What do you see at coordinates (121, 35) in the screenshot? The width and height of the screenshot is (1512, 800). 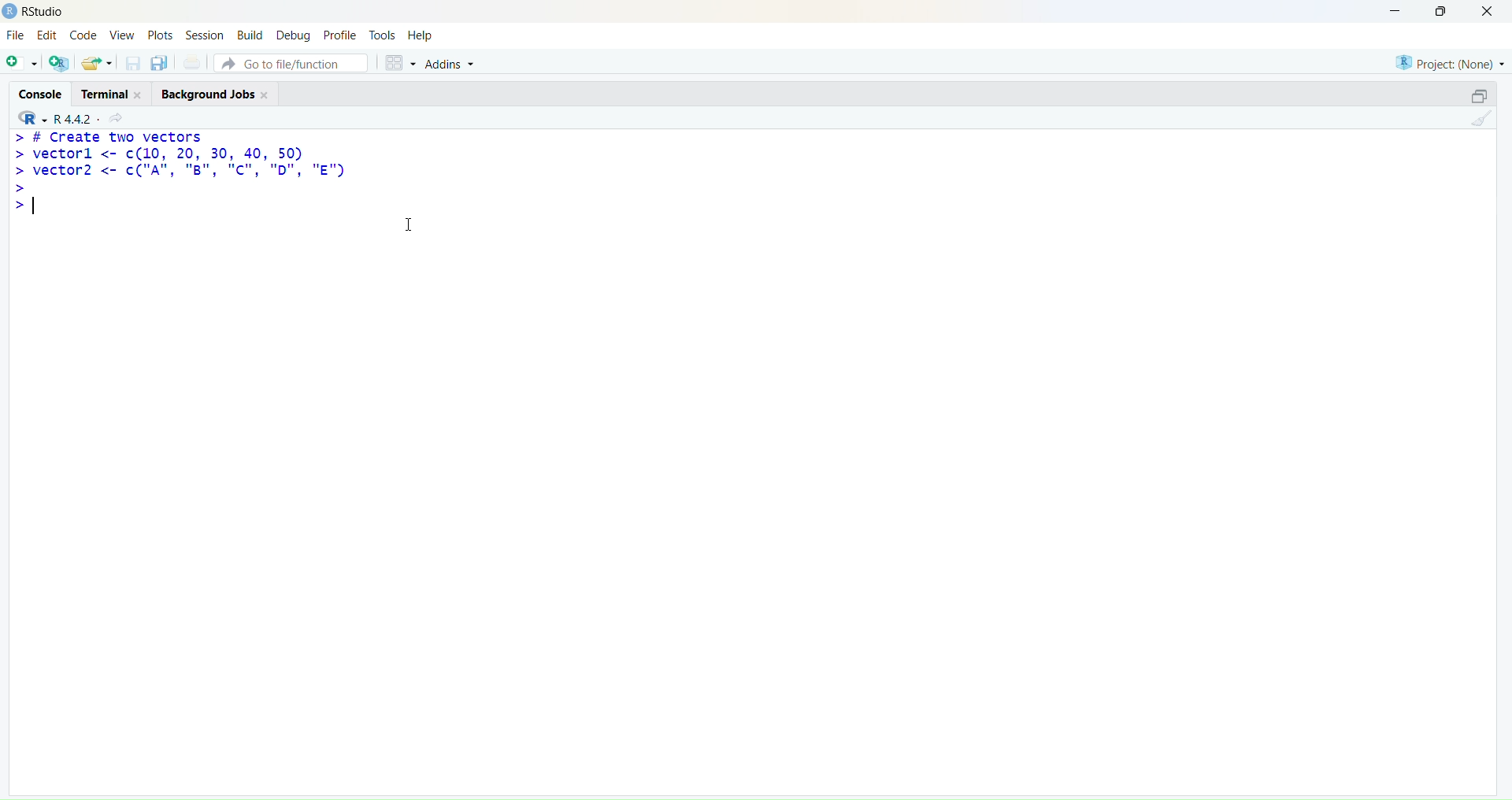 I see `View` at bounding box center [121, 35].